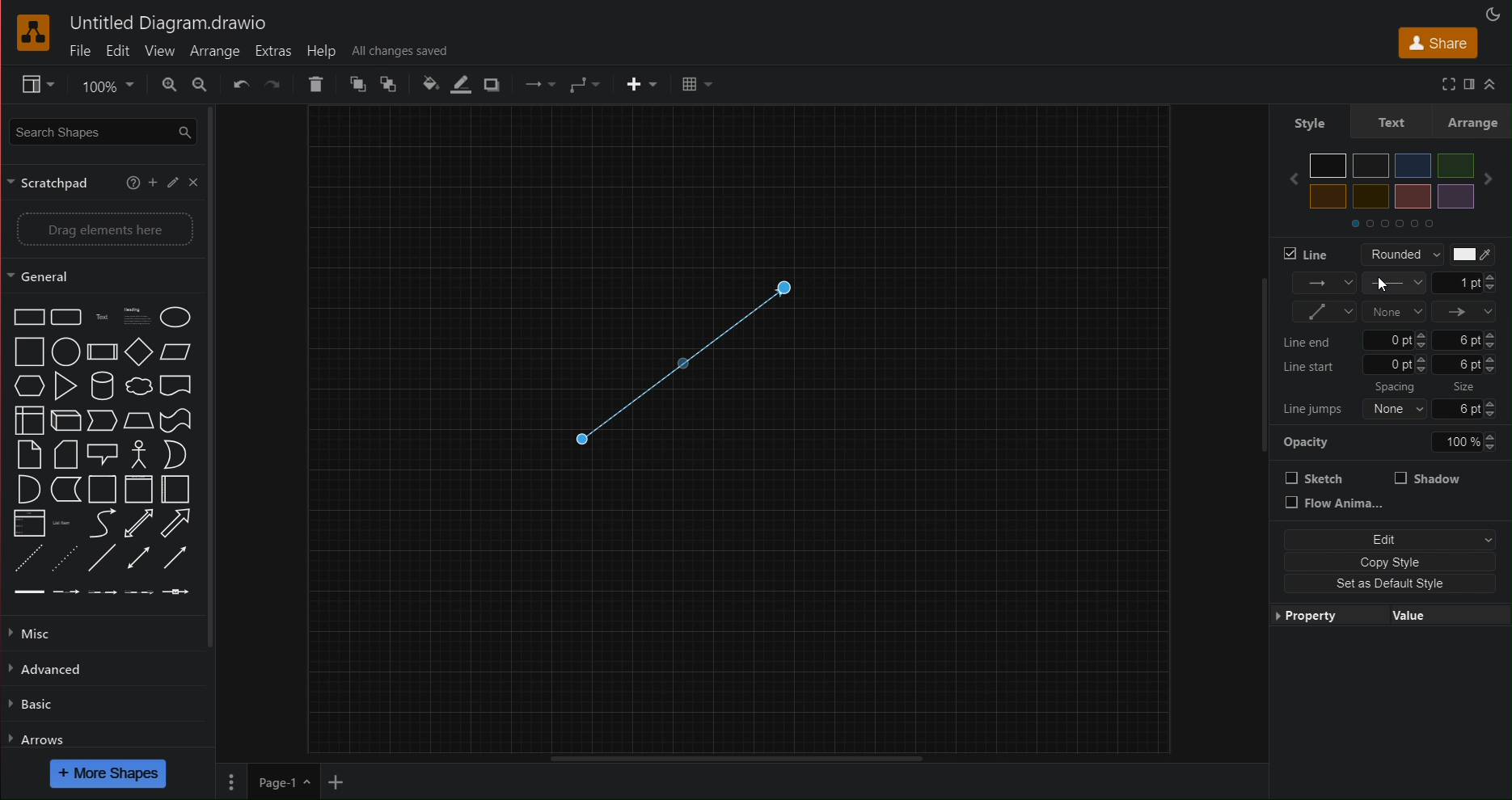  I want to click on spacing, so click(1399, 389).